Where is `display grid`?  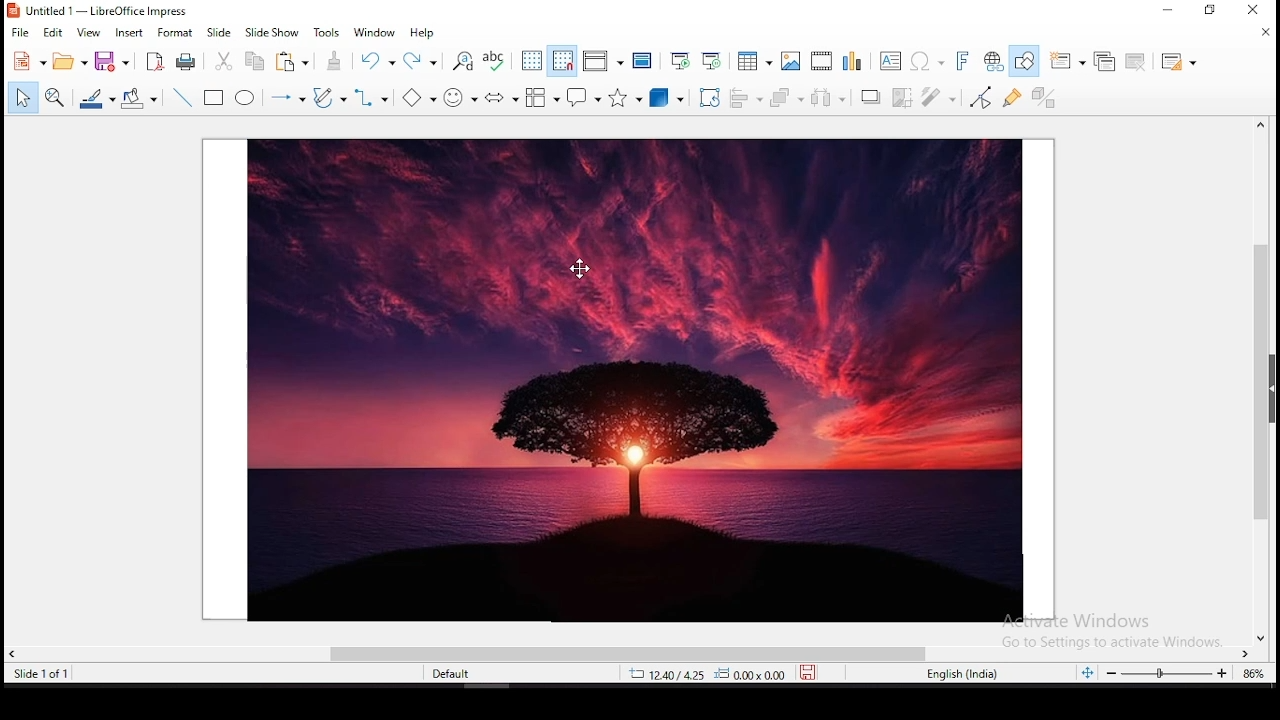 display grid is located at coordinates (531, 61).